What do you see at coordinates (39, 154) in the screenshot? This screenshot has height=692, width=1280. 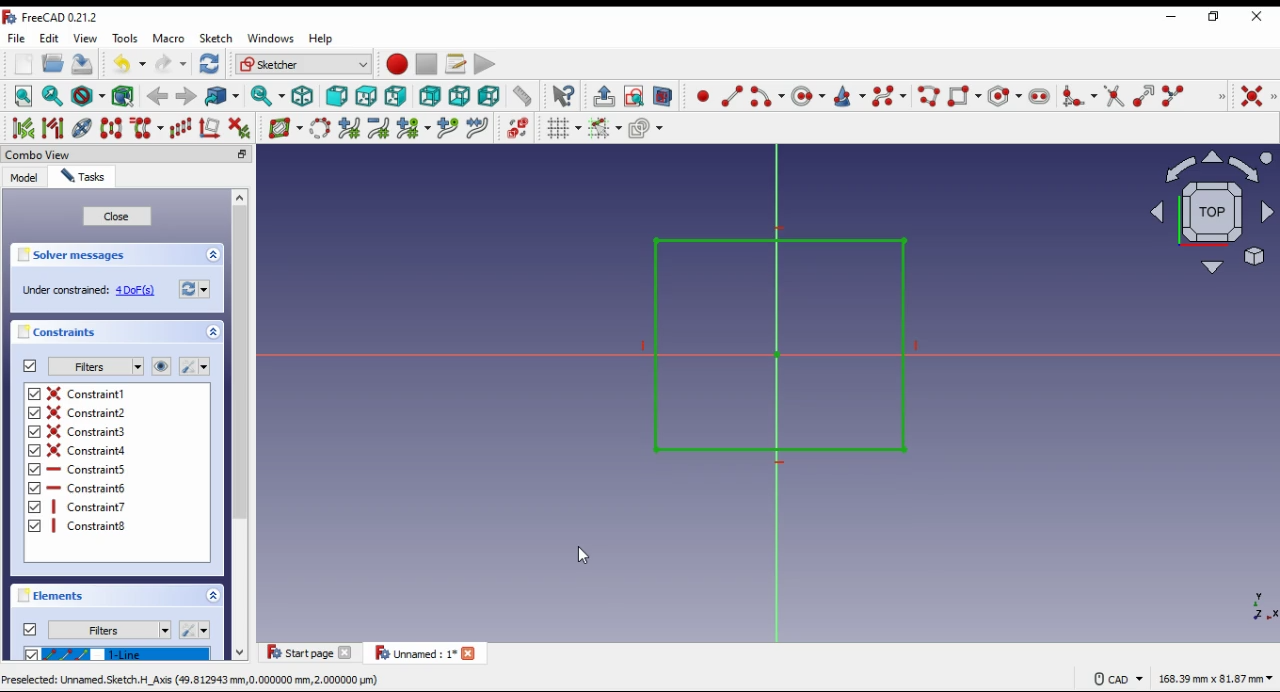 I see `combo view` at bounding box center [39, 154].